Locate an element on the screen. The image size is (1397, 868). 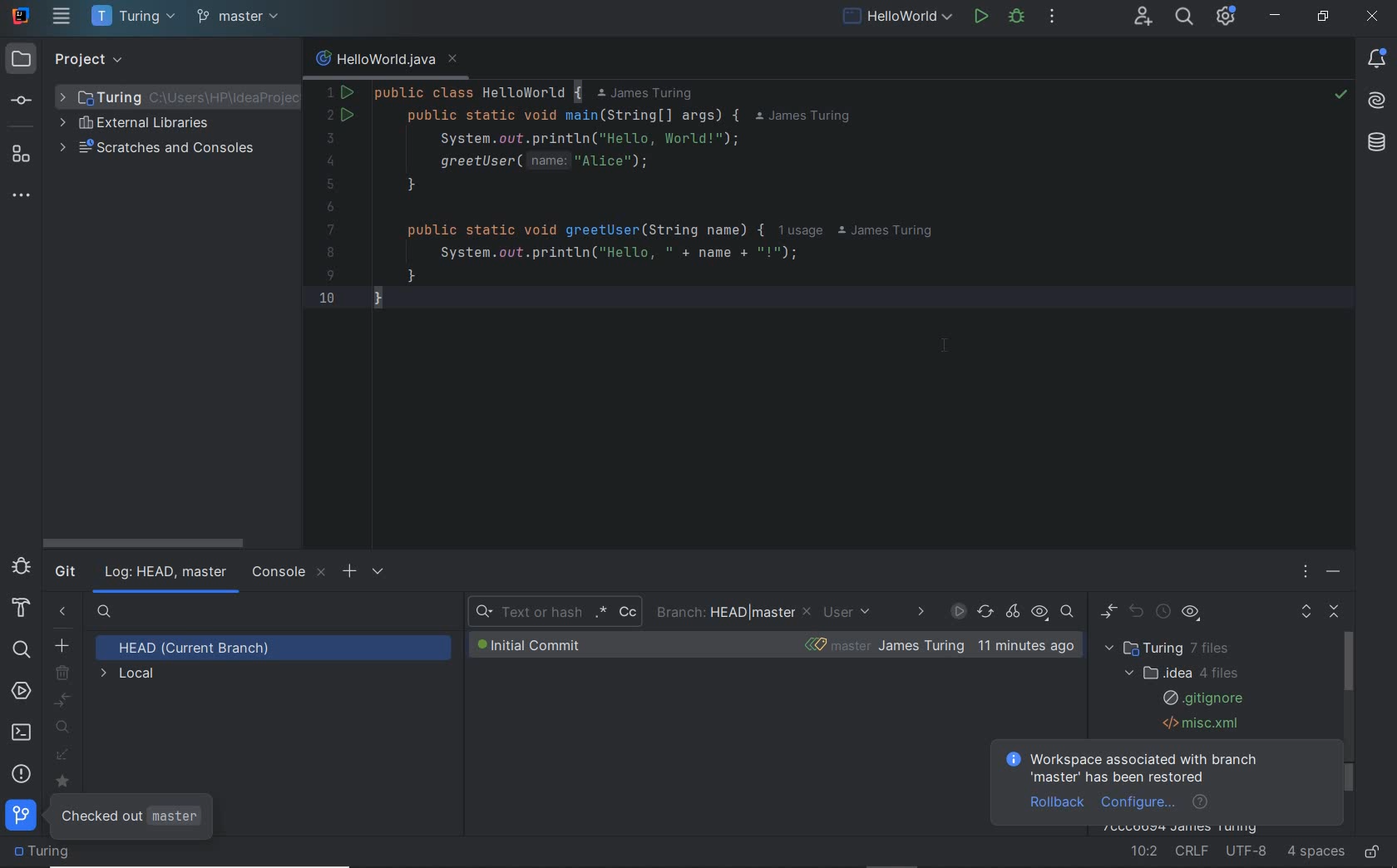
collapse is located at coordinates (227, 61).